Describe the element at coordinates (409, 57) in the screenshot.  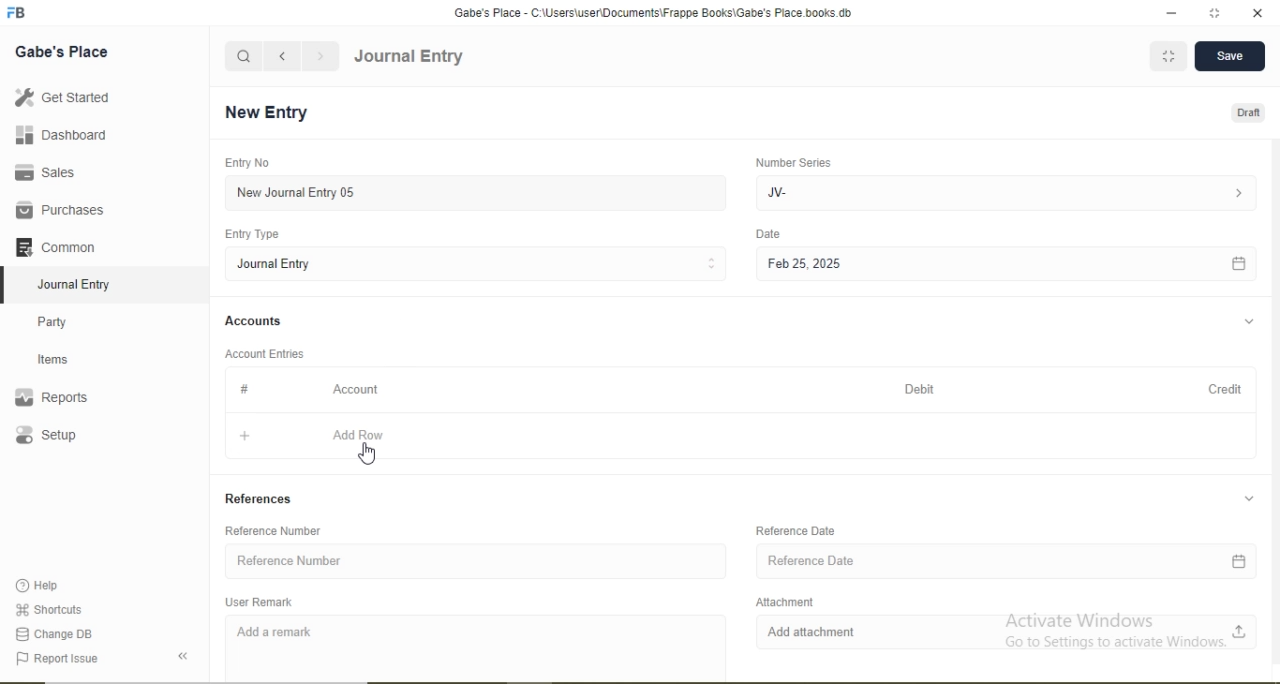
I see `Journal Entry` at that location.